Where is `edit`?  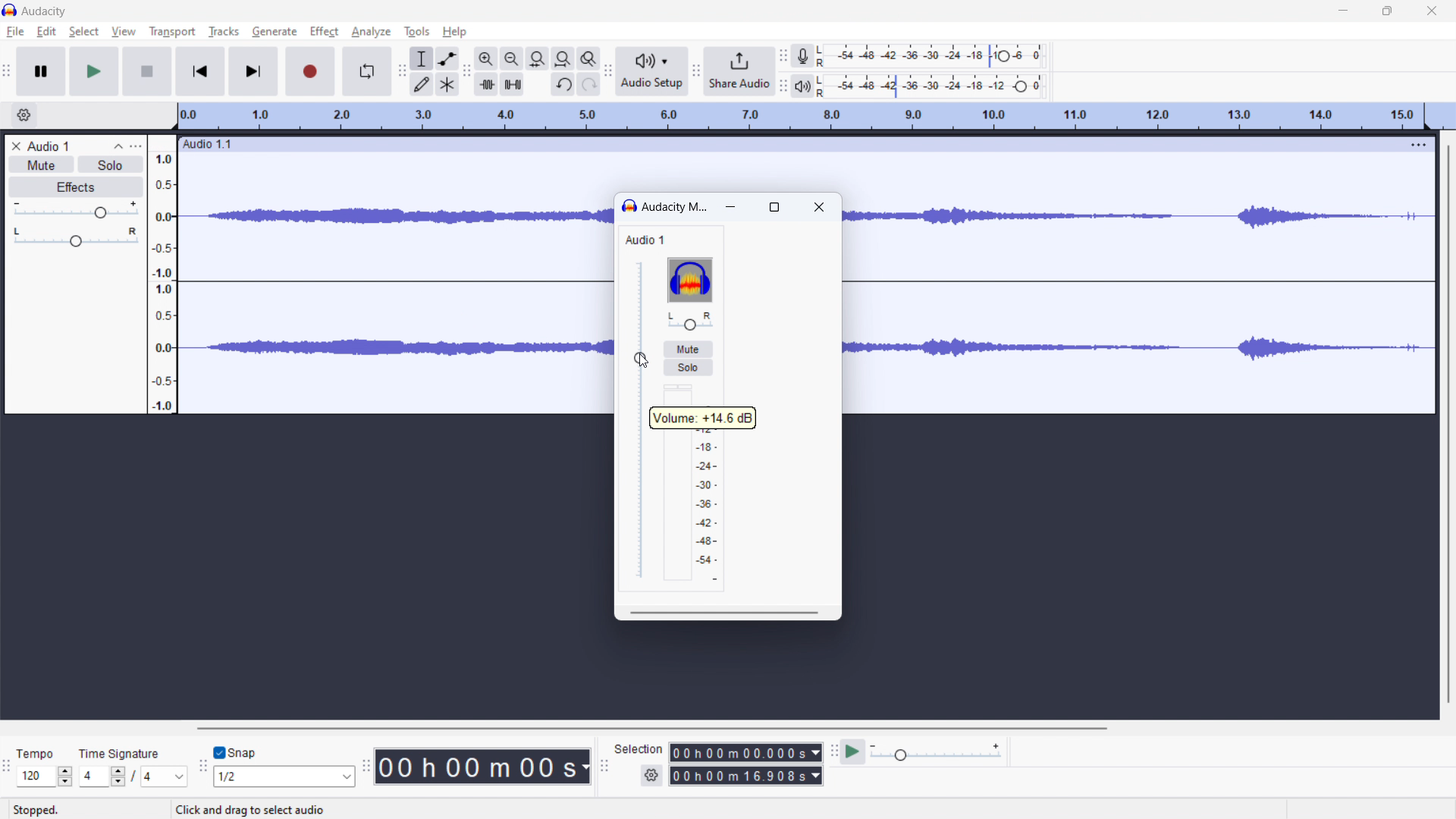 edit is located at coordinates (46, 33).